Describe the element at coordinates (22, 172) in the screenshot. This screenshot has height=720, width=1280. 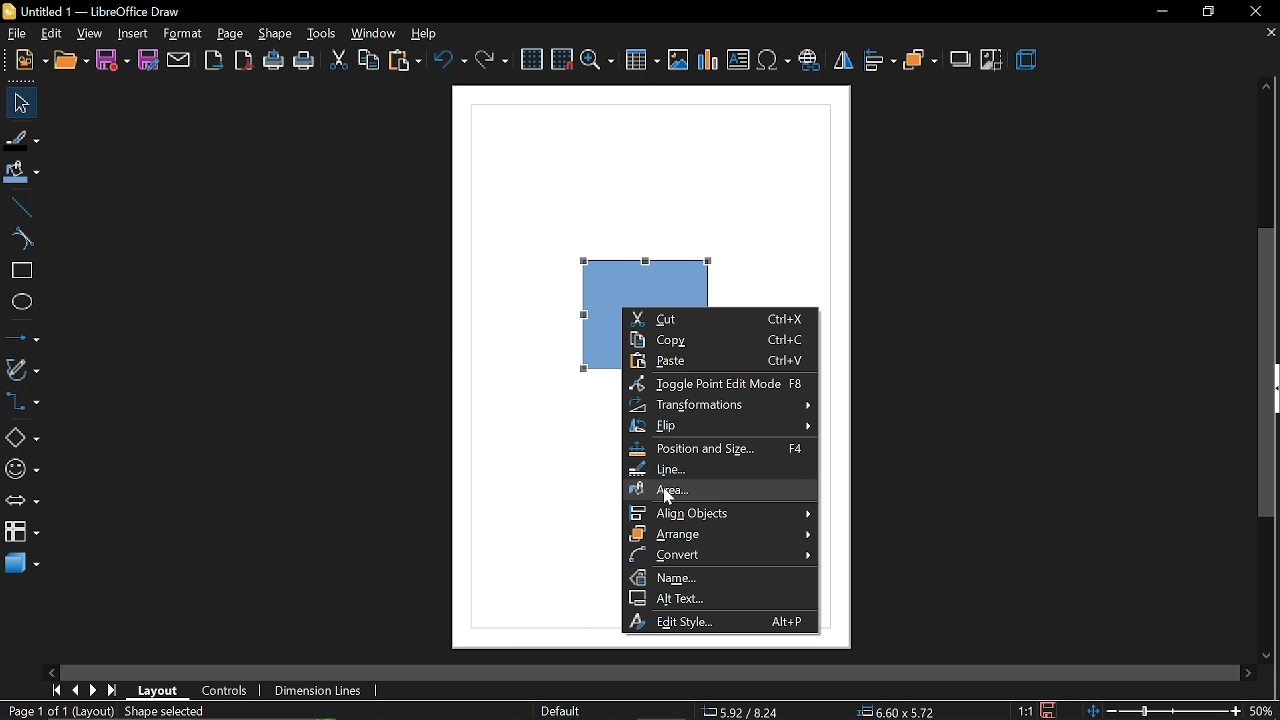
I see `fill color` at that location.